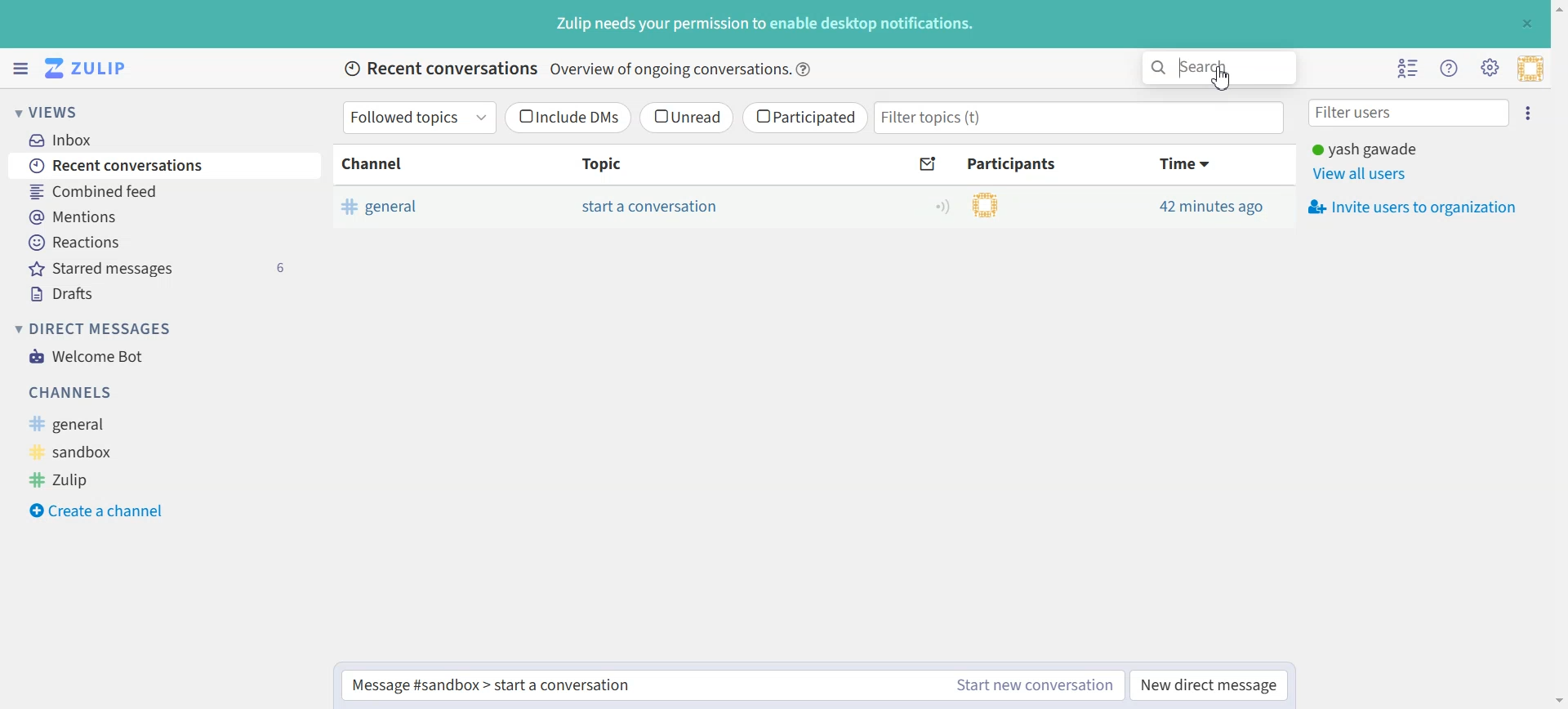 This screenshot has width=1568, height=709. What do you see at coordinates (1187, 164) in the screenshot?
I see `Time` at bounding box center [1187, 164].